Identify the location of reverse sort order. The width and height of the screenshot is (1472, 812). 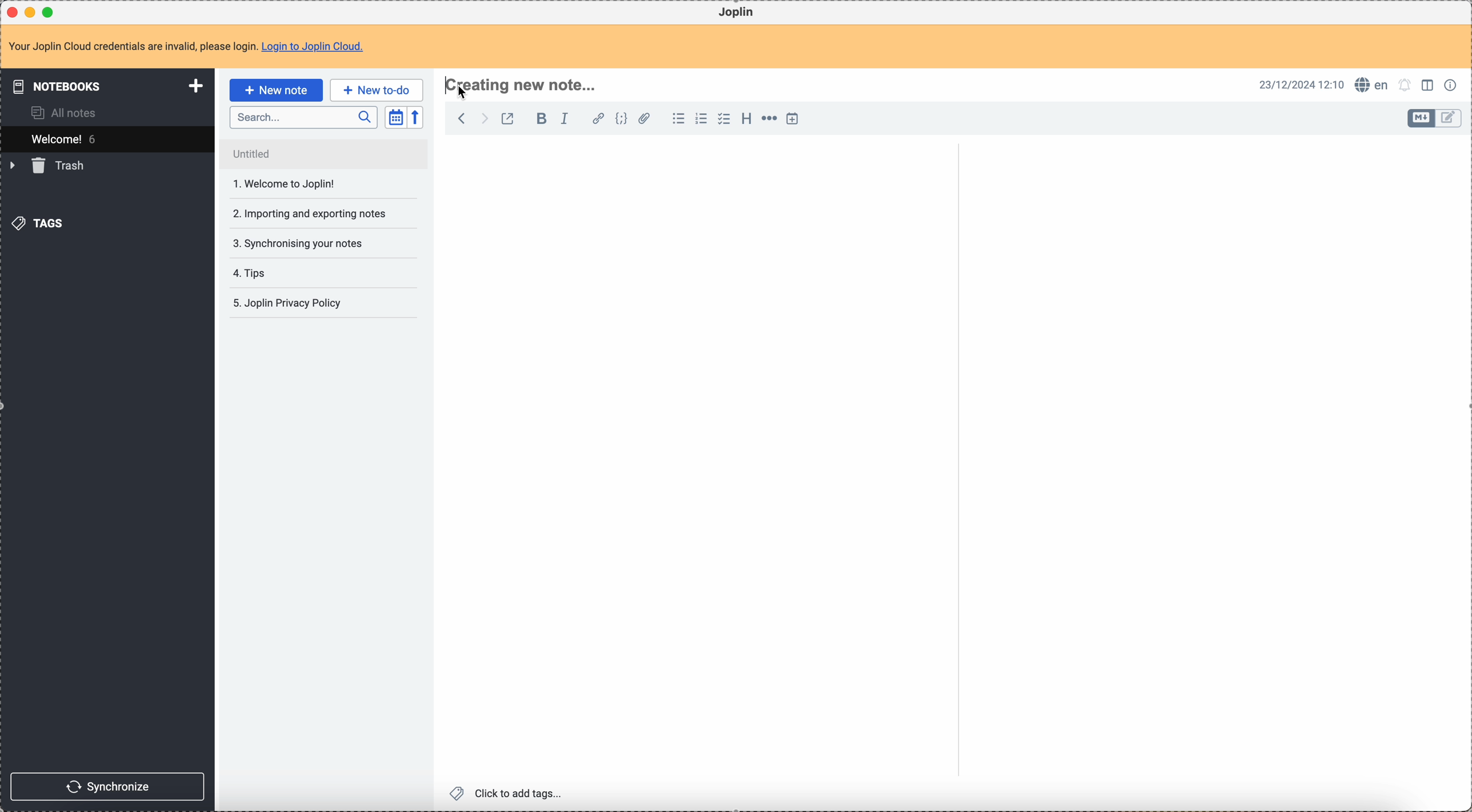
(415, 117).